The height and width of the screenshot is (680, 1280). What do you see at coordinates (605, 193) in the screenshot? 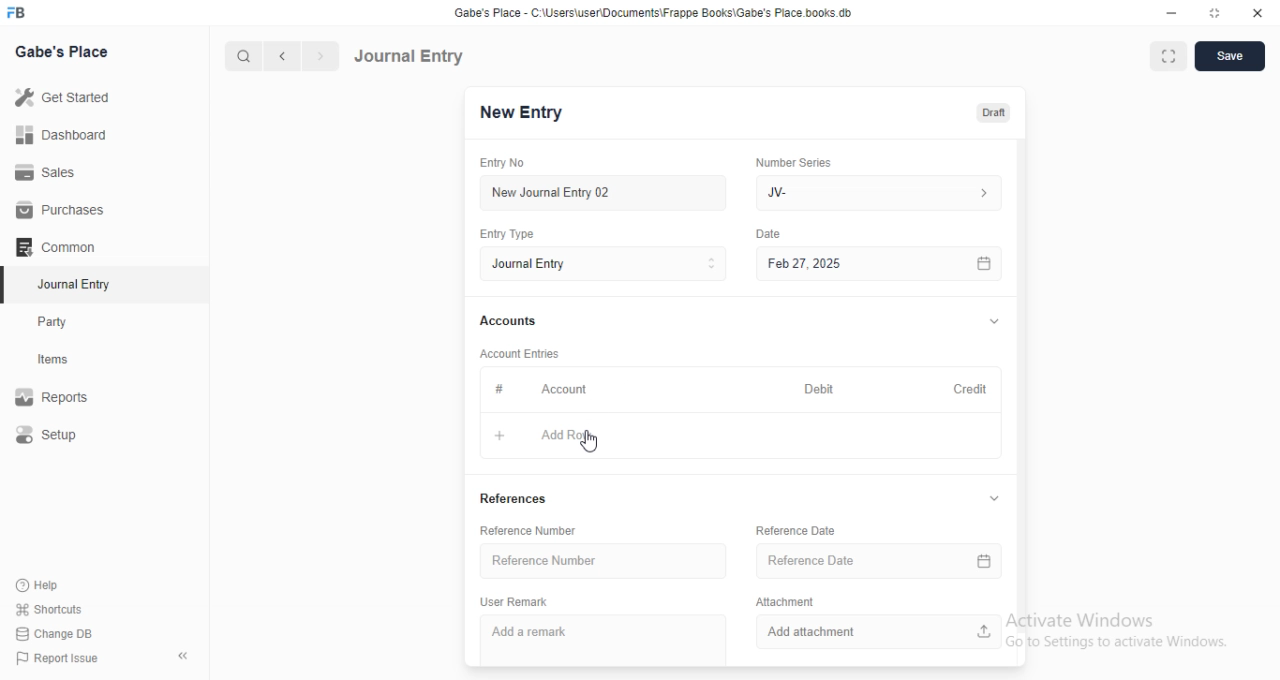
I see `New Journal Entry 02` at bounding box center [605, 193].